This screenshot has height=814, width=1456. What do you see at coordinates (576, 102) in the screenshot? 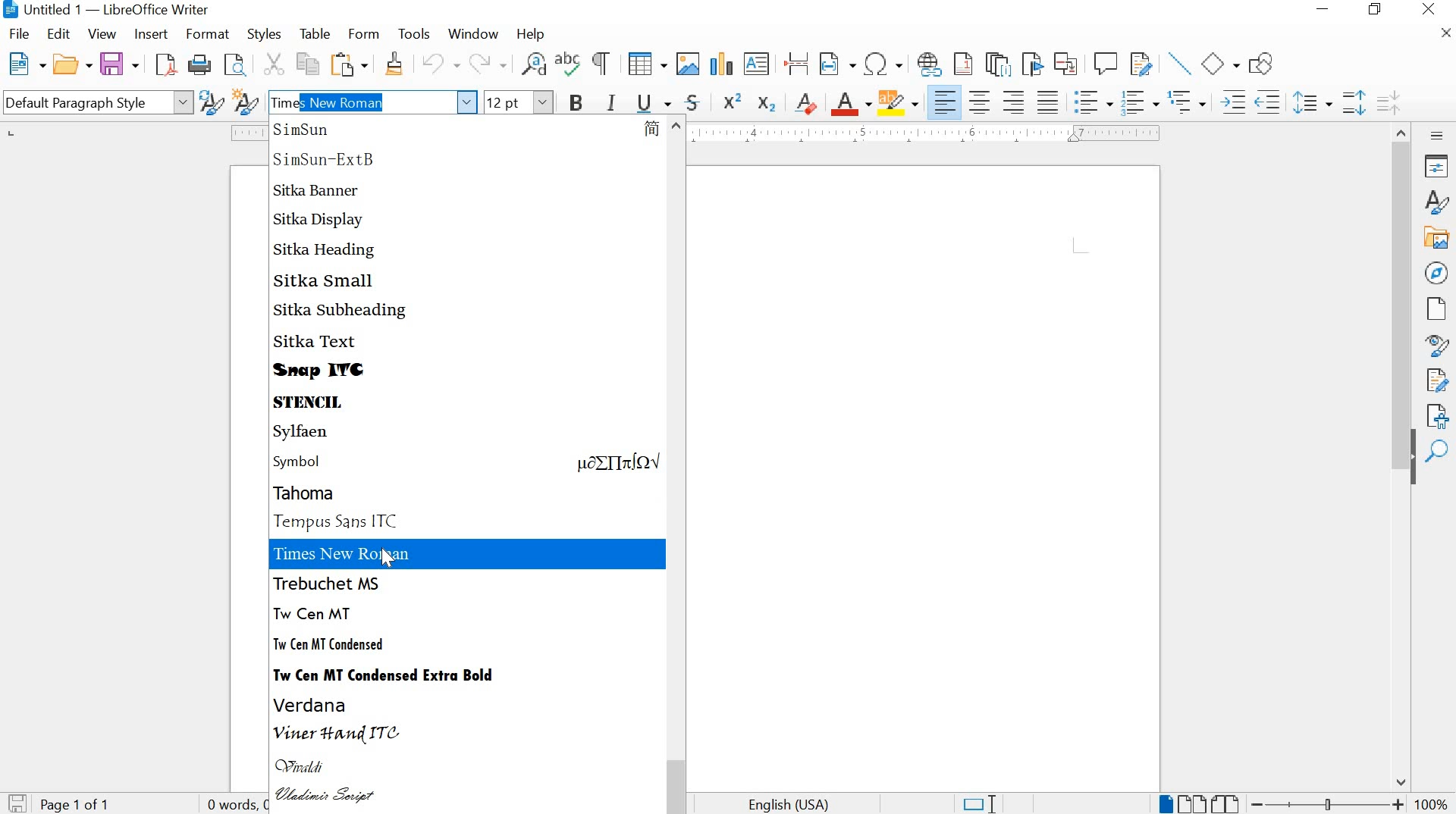
I see `BOLD` at bounding box center [576, 102].